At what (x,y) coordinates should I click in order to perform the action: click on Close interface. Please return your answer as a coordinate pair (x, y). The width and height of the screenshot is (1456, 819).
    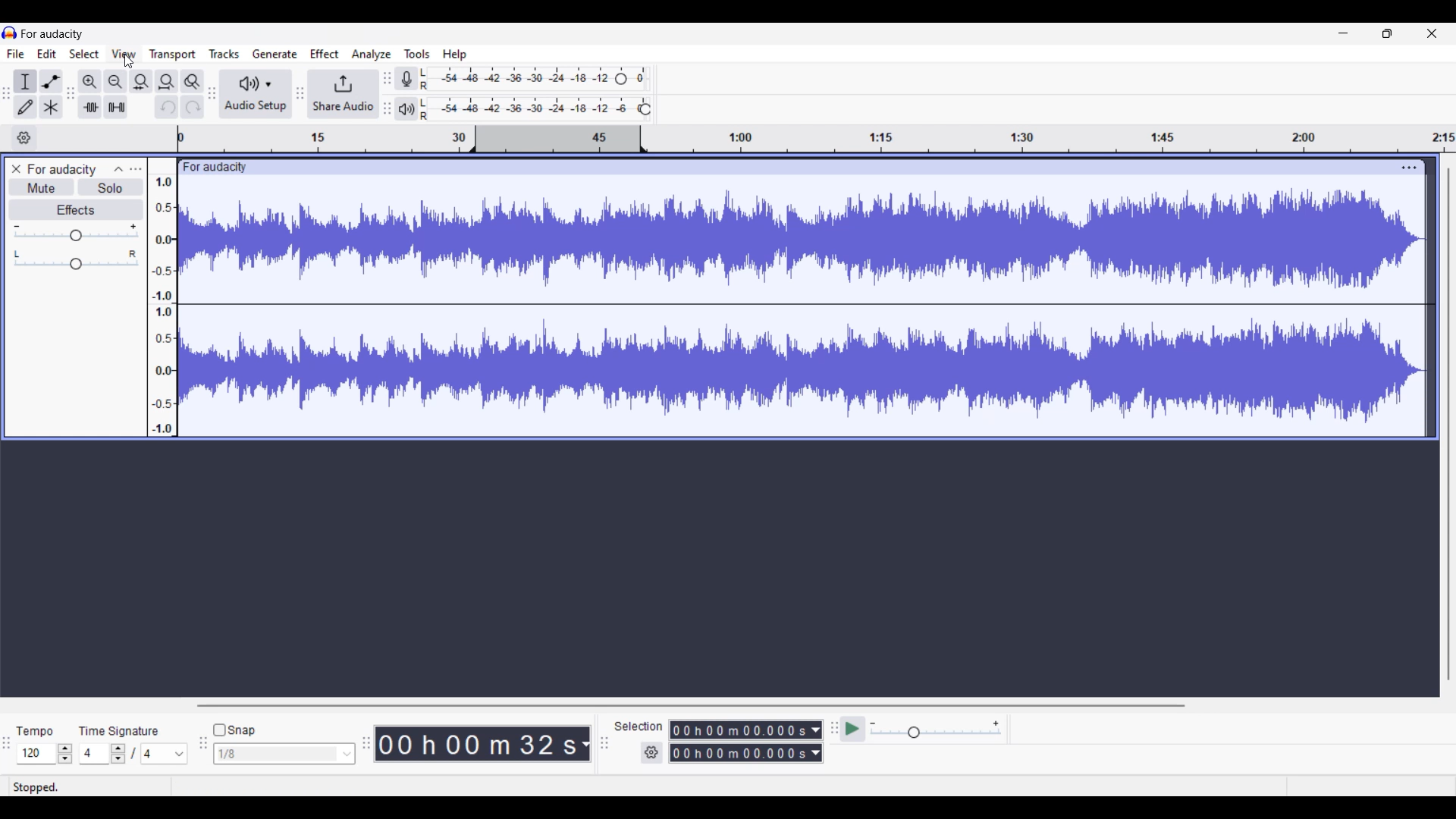
    Looking at the image, I should click on (1432, 33).